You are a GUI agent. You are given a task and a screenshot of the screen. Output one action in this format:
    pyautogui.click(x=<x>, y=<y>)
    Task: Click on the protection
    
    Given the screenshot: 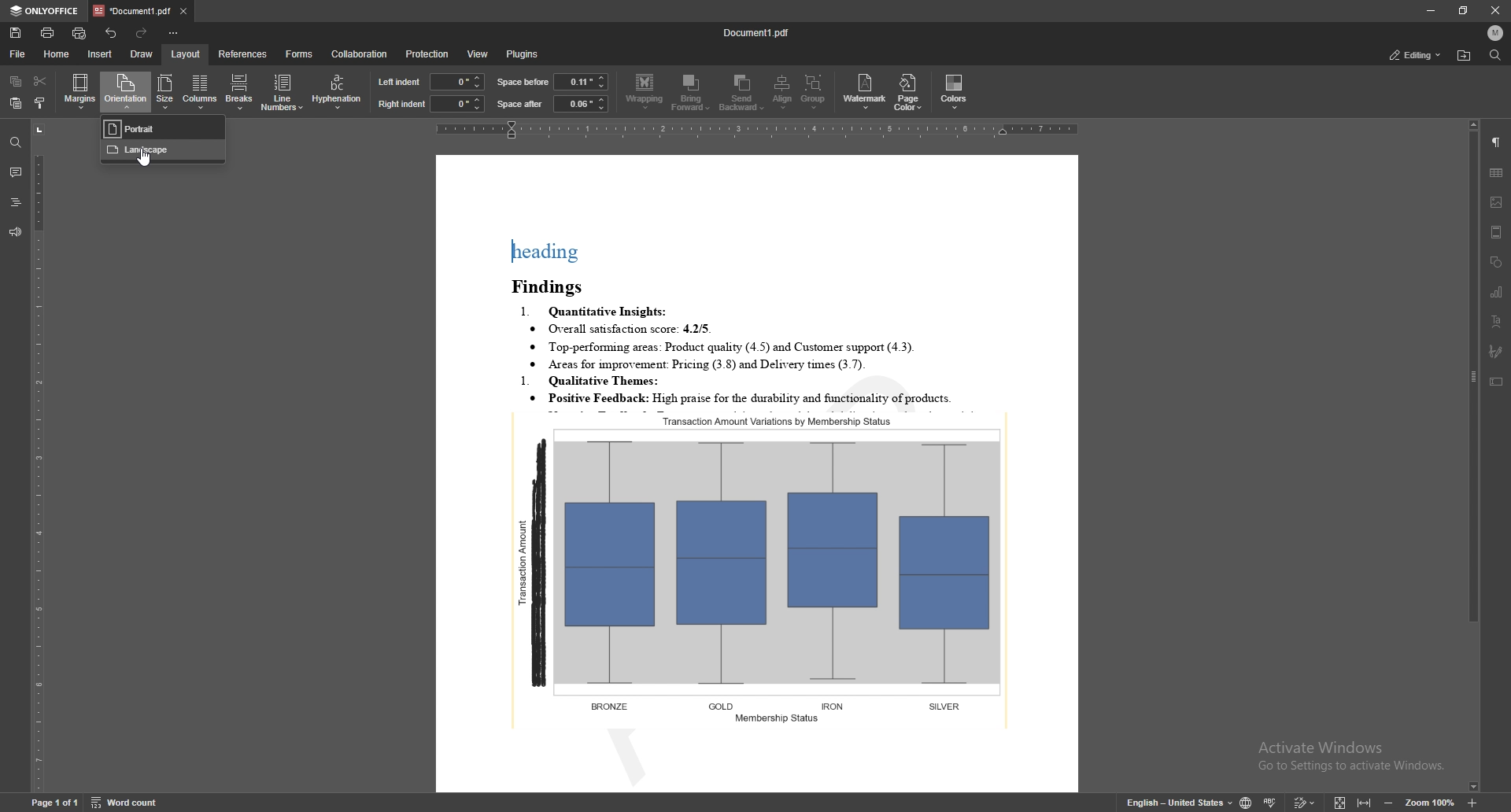 What is the action you would take?
    pyautogui.click(x=429, y=54)
    